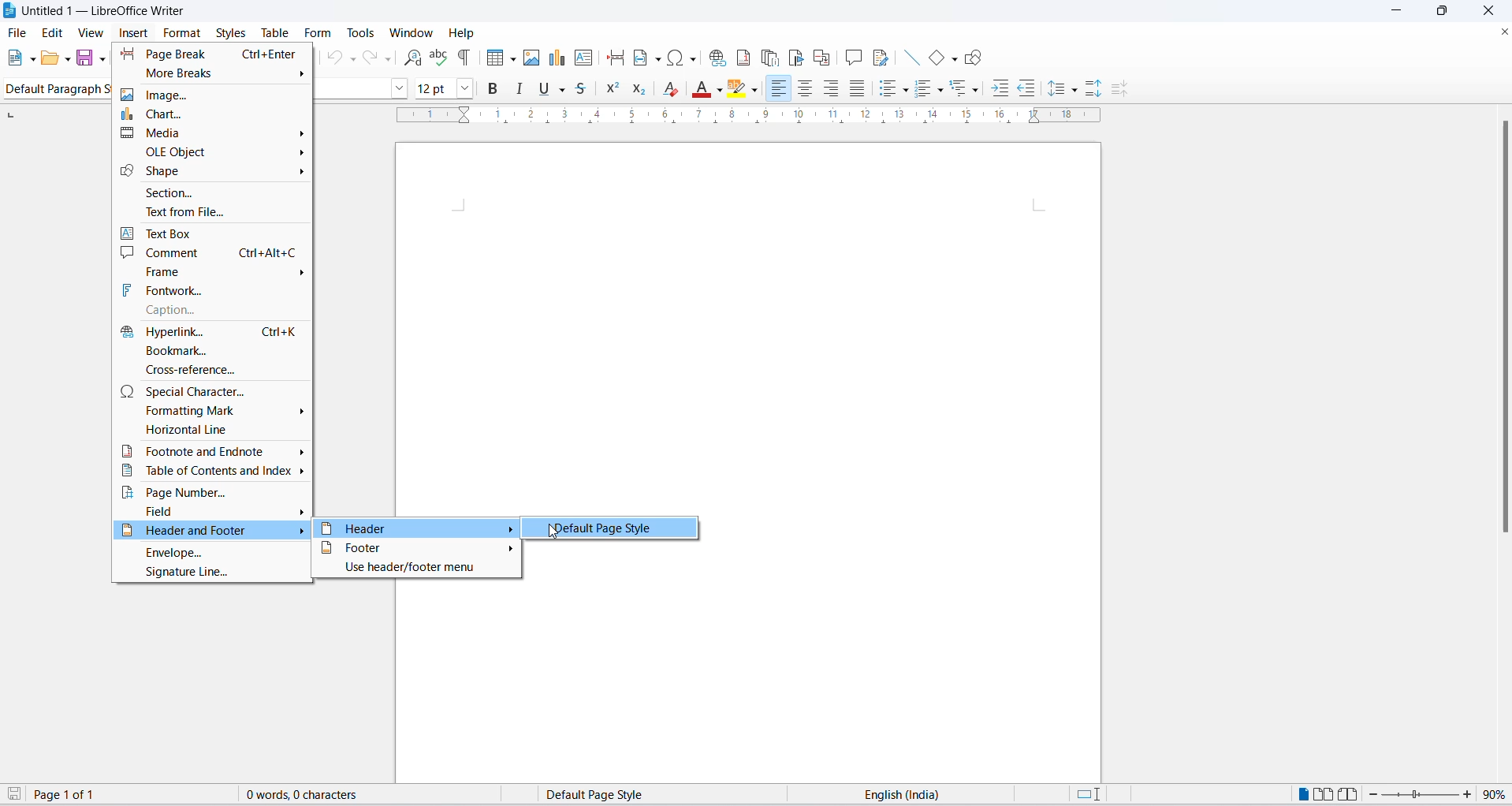  I want to click on file  options, so click(32, 58).